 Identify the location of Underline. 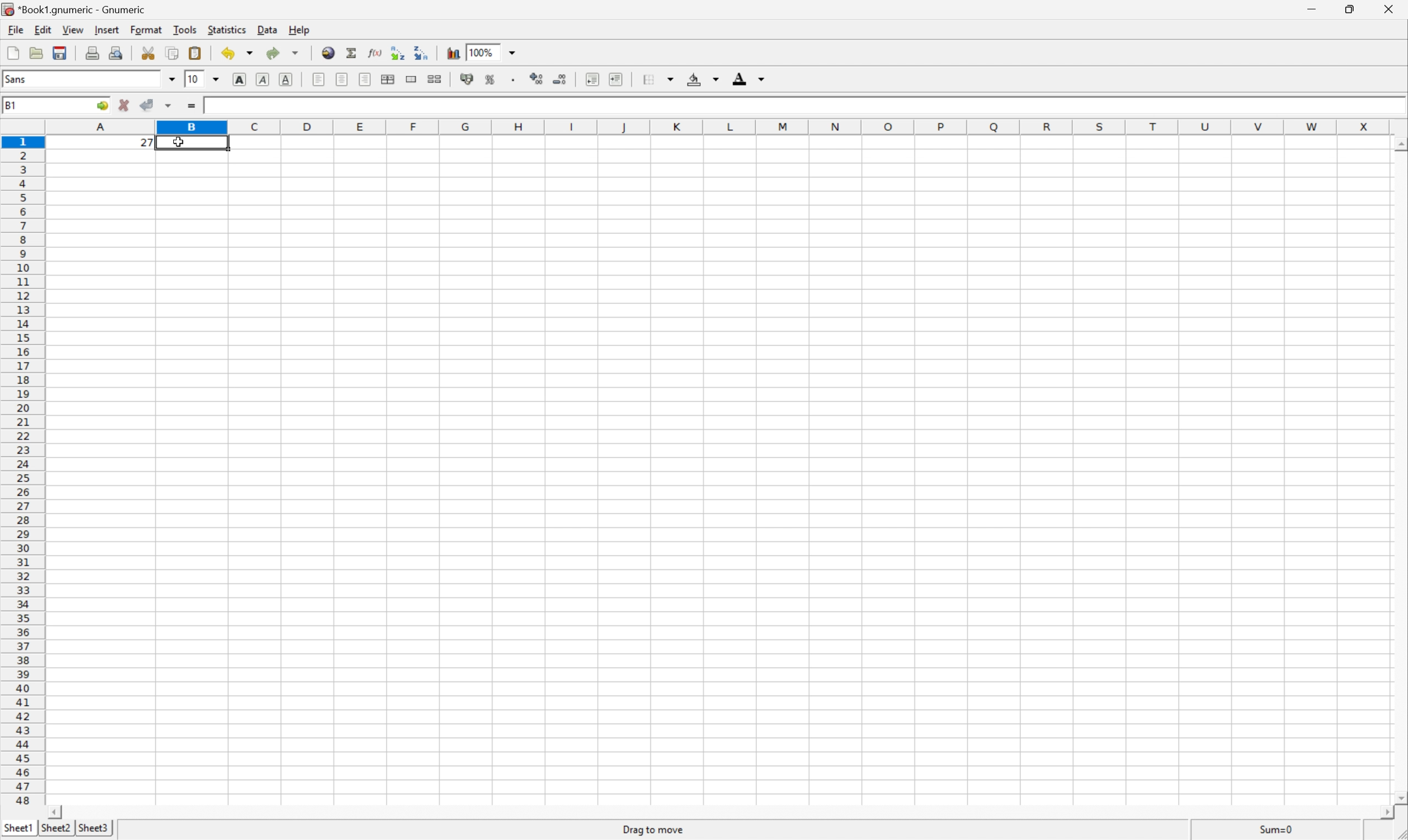
(286, 81).